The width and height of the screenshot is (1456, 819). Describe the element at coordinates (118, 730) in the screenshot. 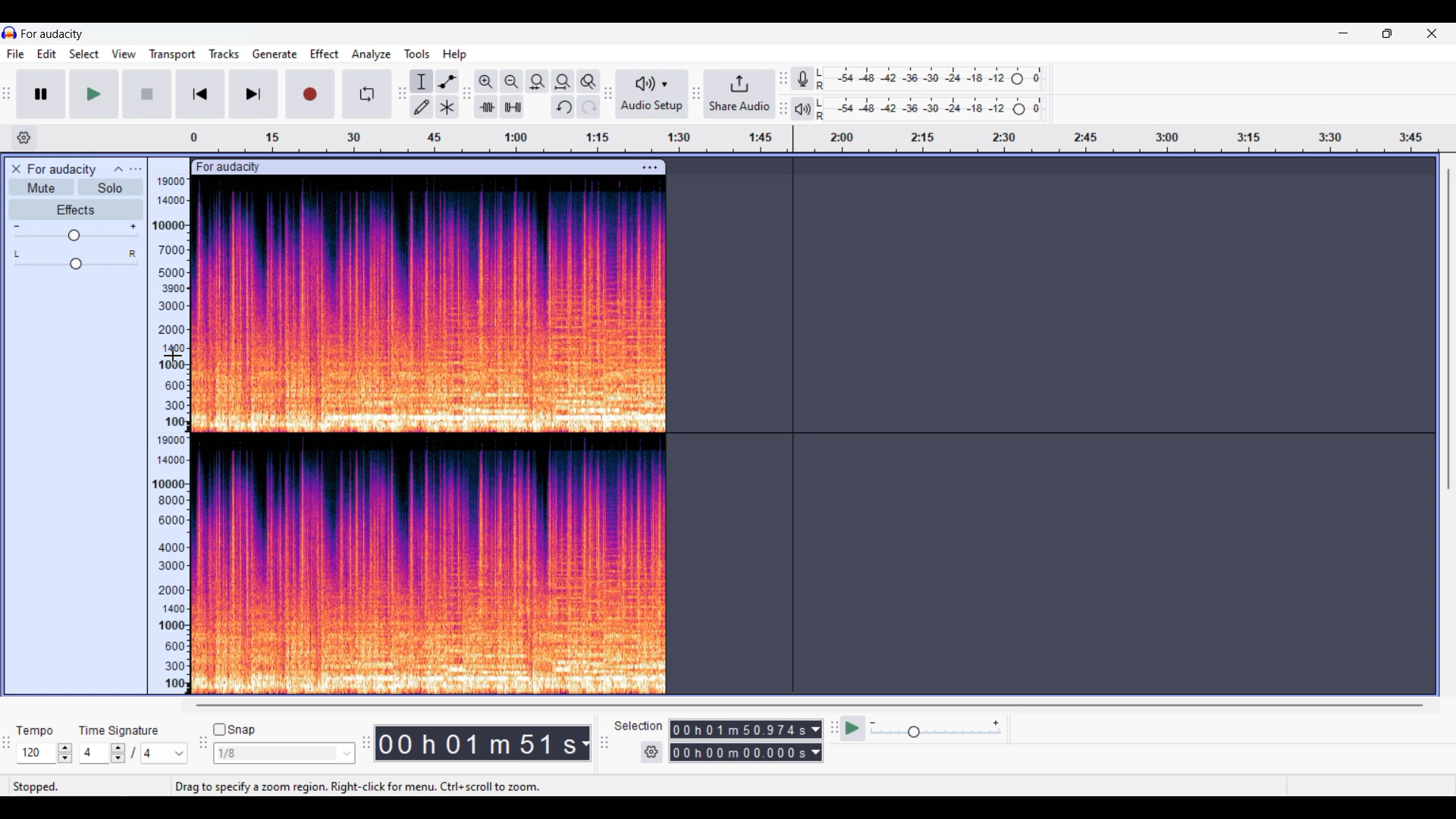

I see `Indicates time signature settings` at that location.